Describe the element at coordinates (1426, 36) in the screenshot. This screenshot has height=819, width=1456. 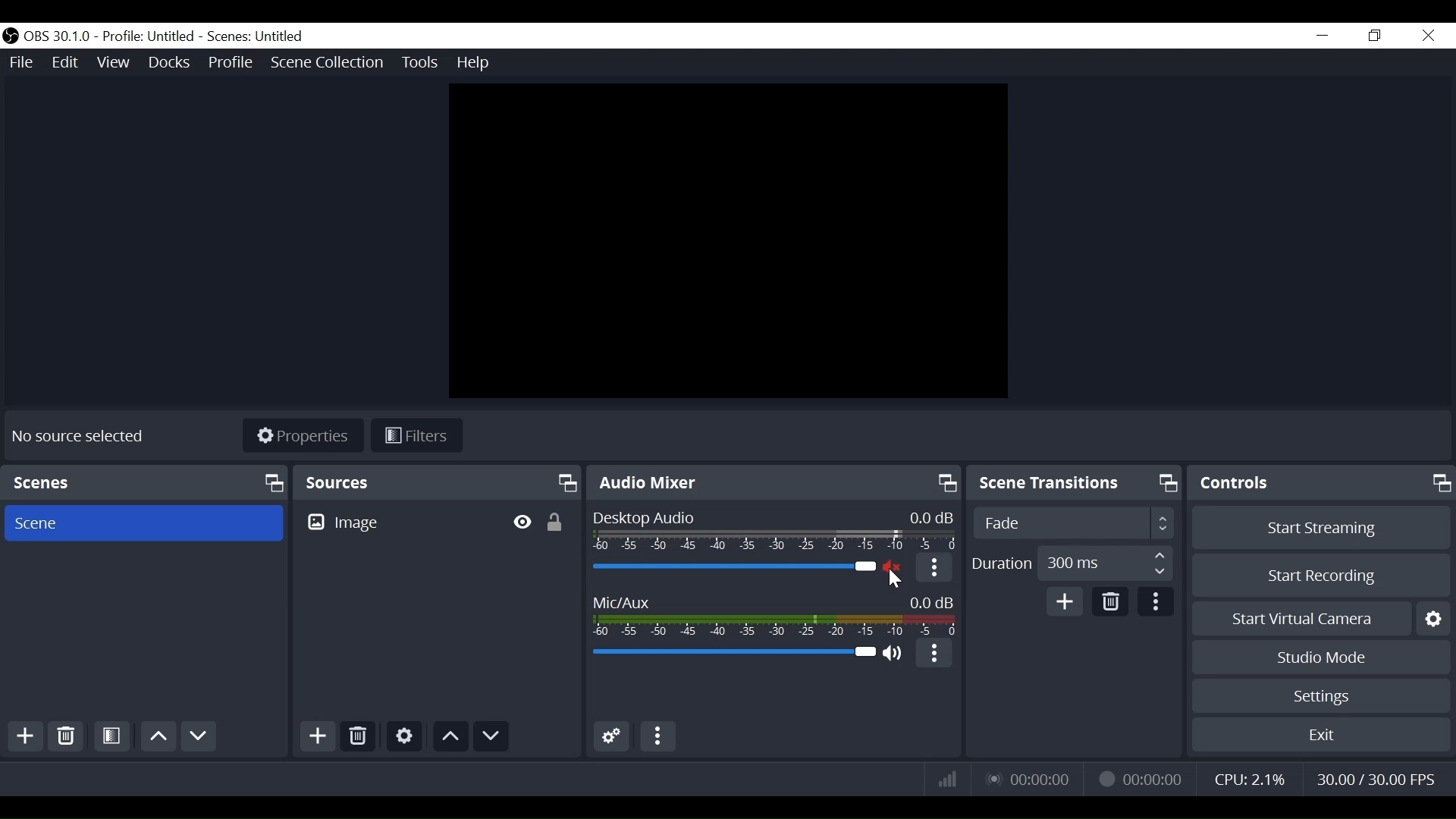
I see `Close` at that location.